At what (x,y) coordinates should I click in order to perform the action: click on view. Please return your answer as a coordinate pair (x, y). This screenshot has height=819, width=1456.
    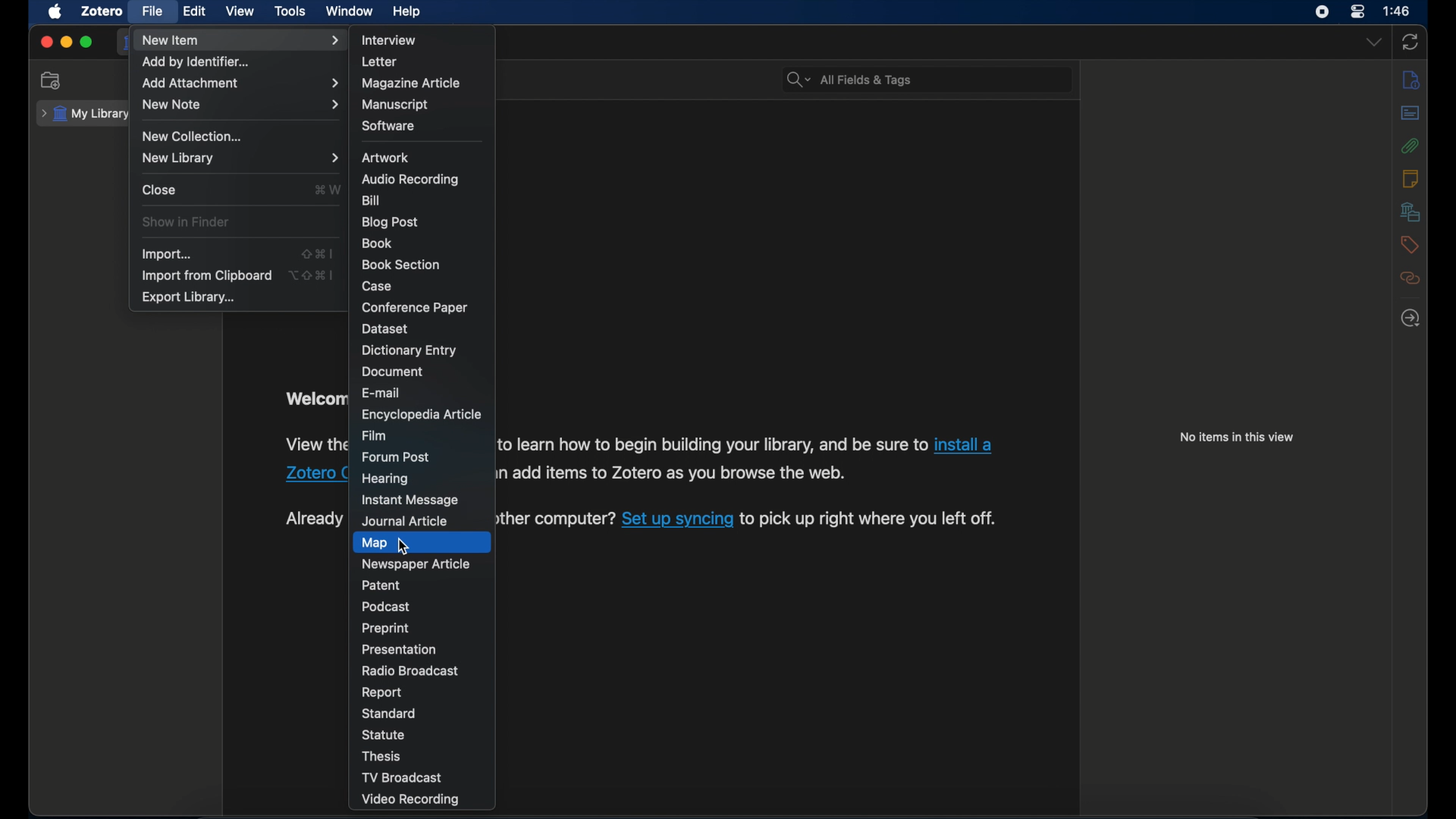
    Looking at the image, I should click on (241, 11).